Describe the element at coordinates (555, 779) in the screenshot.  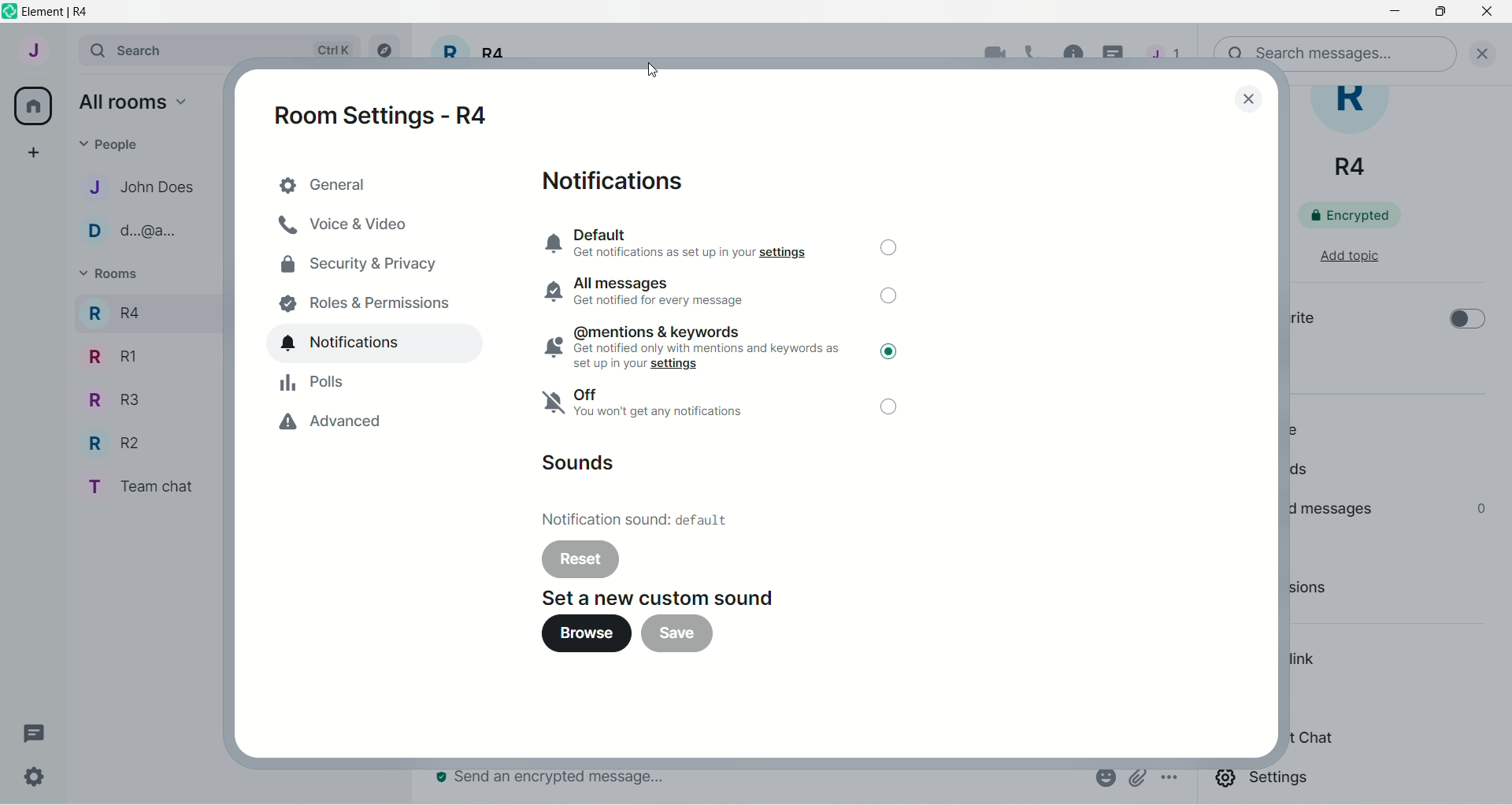
I see `send message` at that location.